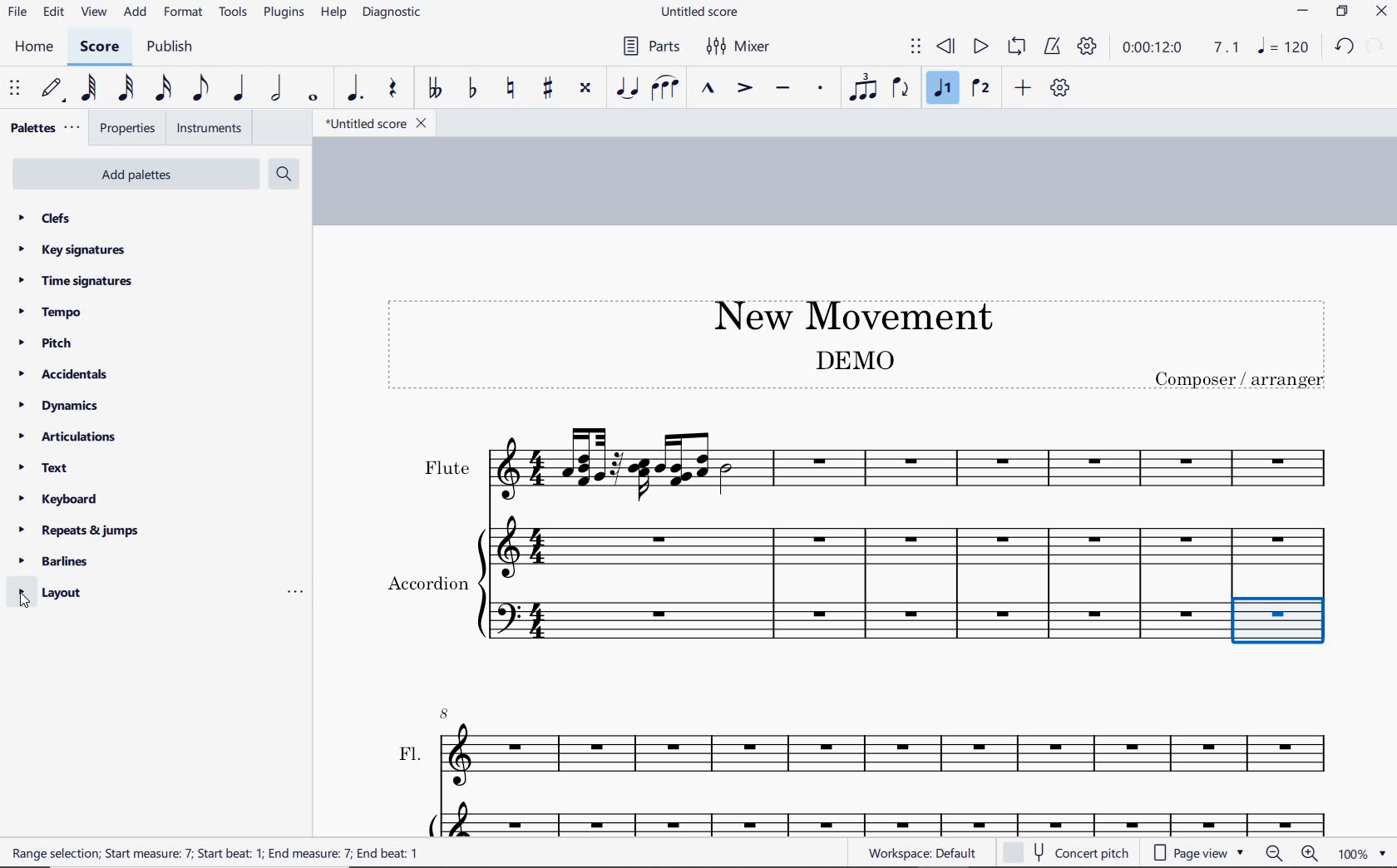  I want to click on accent, so click(744, 88).